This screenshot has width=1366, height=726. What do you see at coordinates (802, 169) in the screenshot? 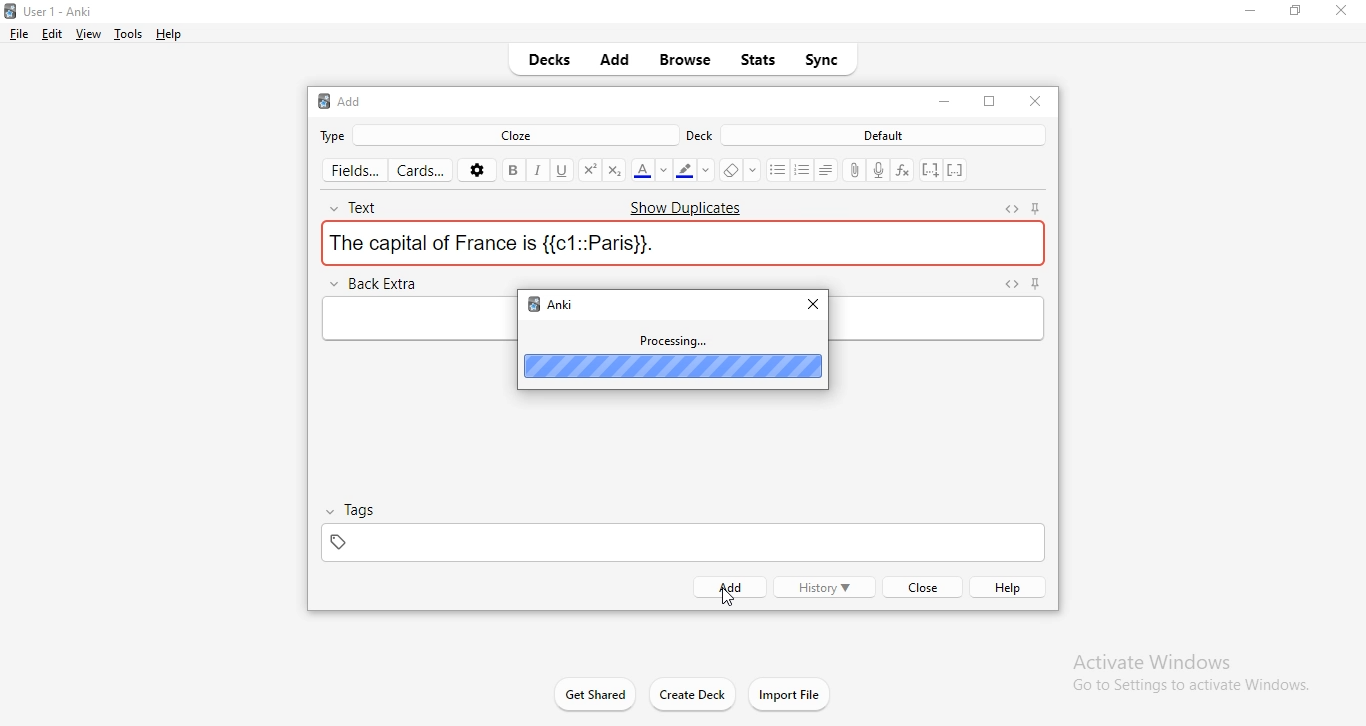
I see `bulleting` at bounding box center [802, 169].